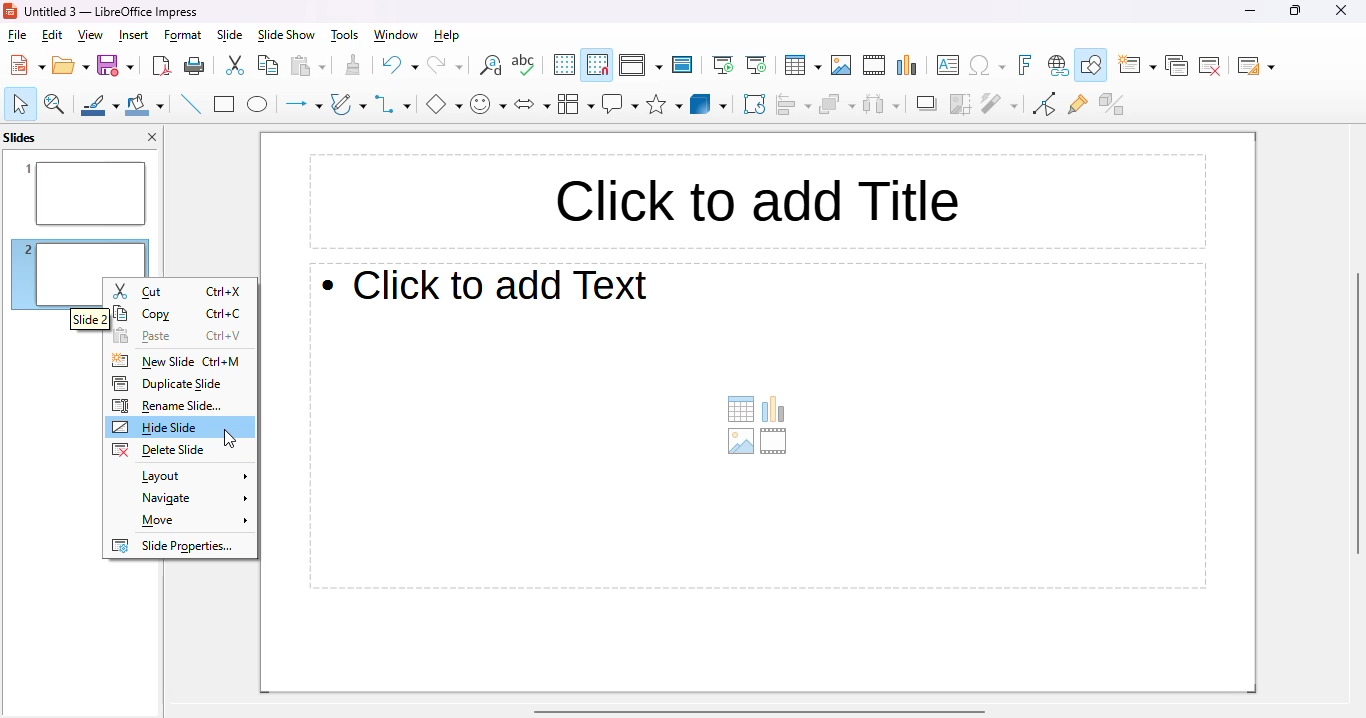  What do you see at coordinates (841, 65) in the screenshot?
I see `insert image` at bounding box center [841, 65].